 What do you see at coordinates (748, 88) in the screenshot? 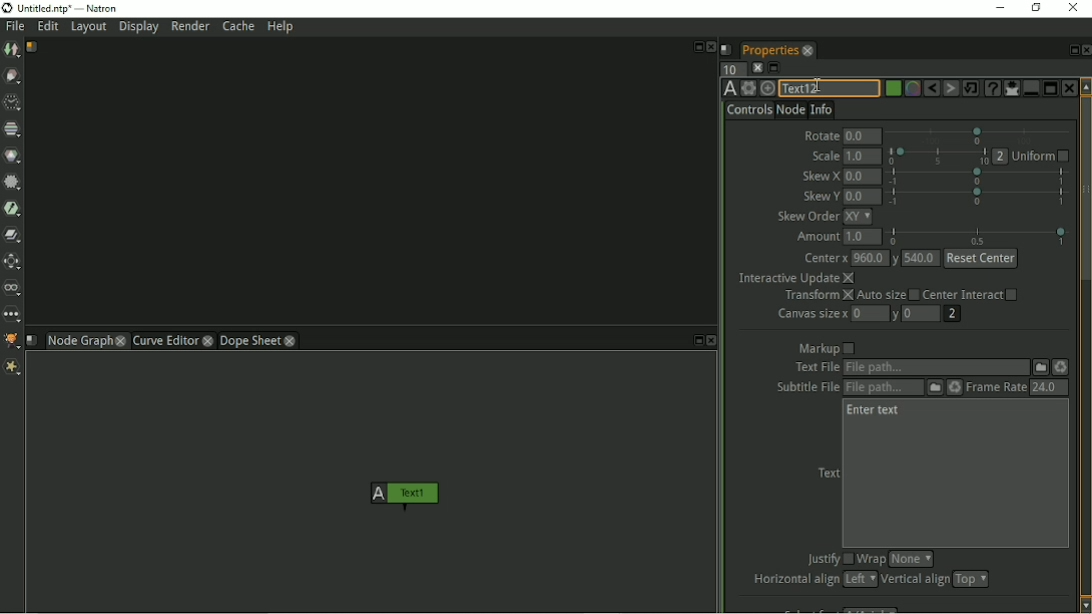
I see `Settings and presets` at bounding box center [748, 88].